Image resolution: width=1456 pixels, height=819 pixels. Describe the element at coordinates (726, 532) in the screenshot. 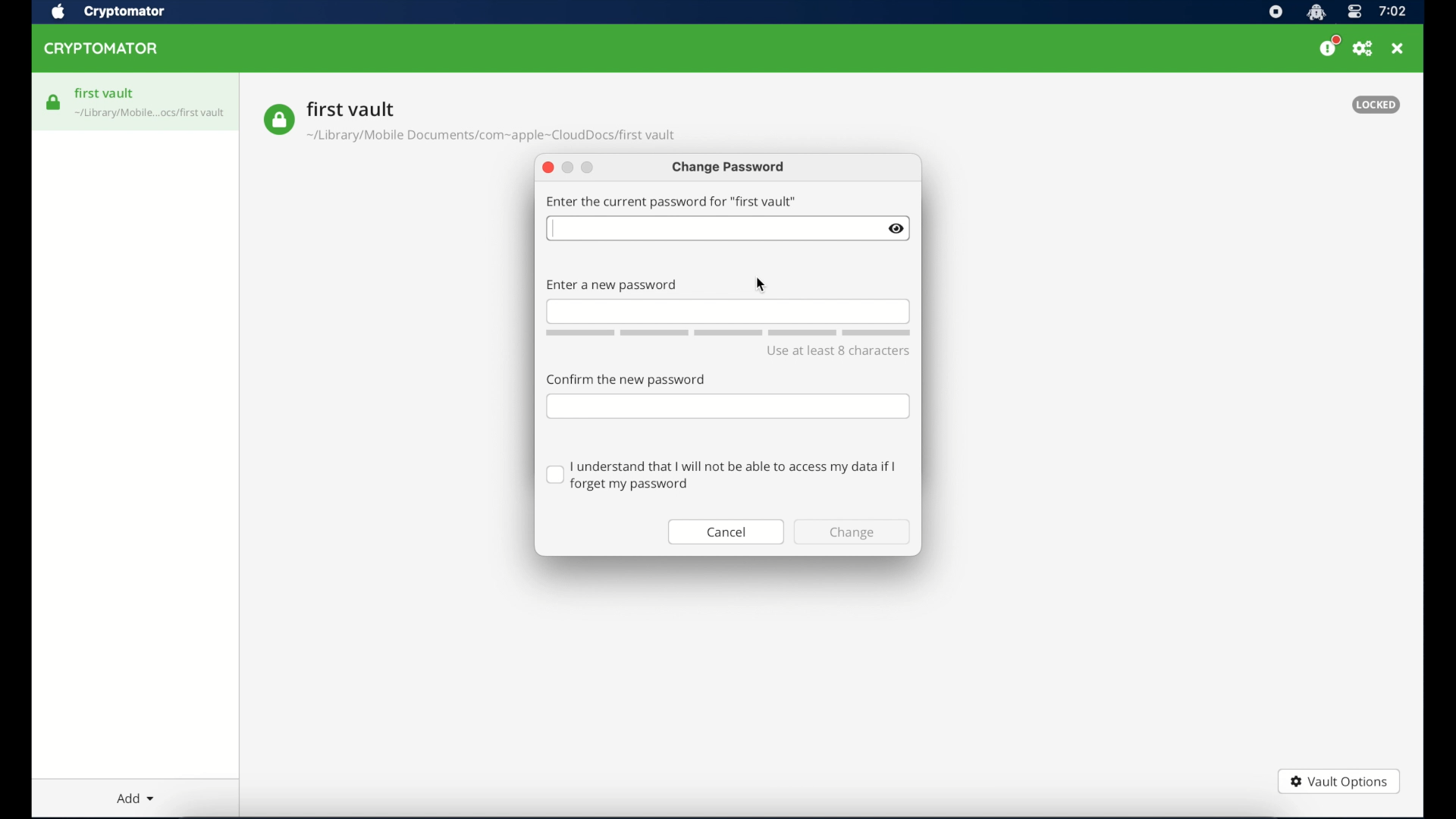

I see `cancel` at that location.